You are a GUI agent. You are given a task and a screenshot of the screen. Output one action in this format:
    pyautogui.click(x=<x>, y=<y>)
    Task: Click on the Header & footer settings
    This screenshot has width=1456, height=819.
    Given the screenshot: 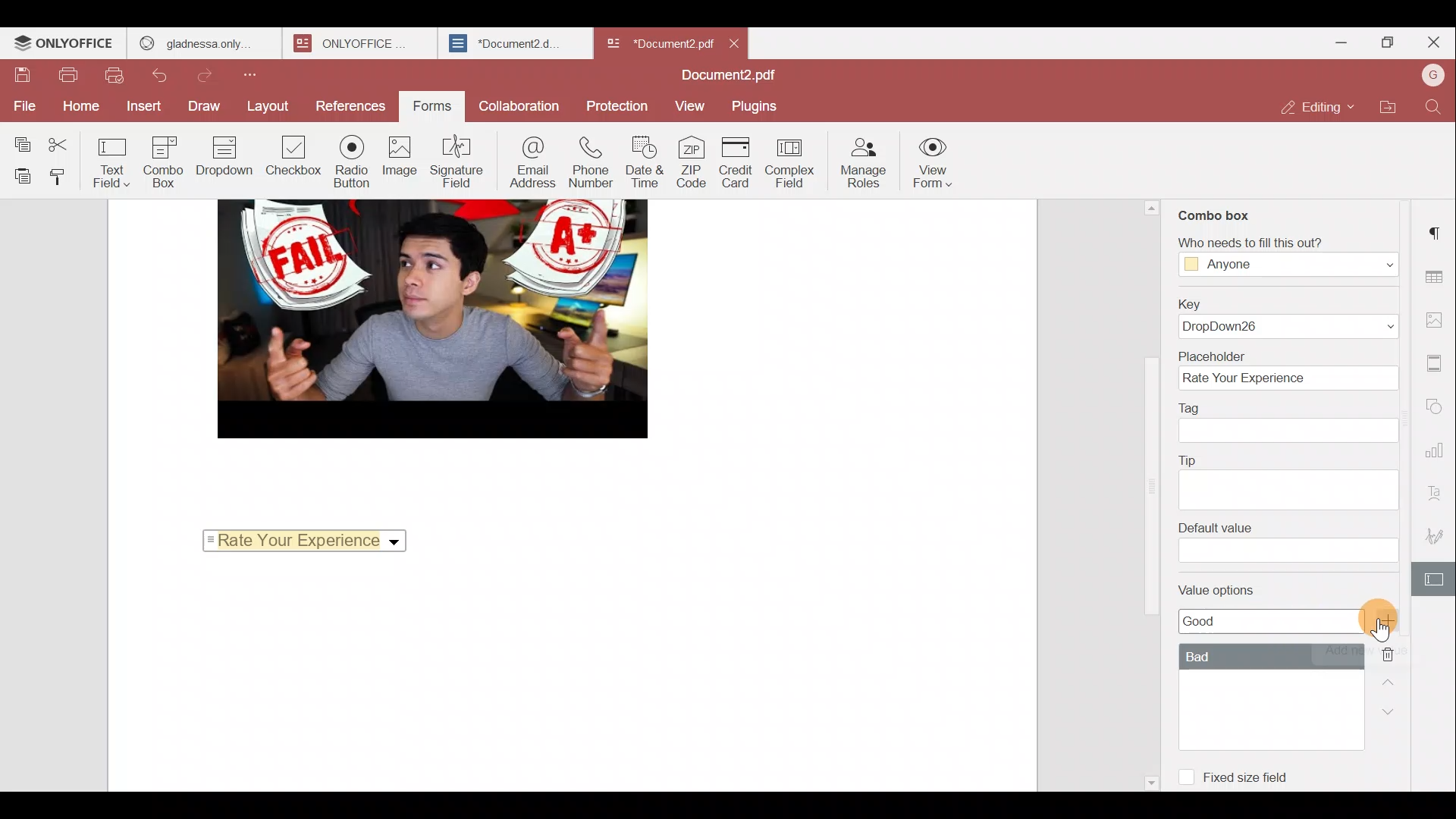 What is the action you would take?
    pyautogui.click(x=1436, y=364)
    